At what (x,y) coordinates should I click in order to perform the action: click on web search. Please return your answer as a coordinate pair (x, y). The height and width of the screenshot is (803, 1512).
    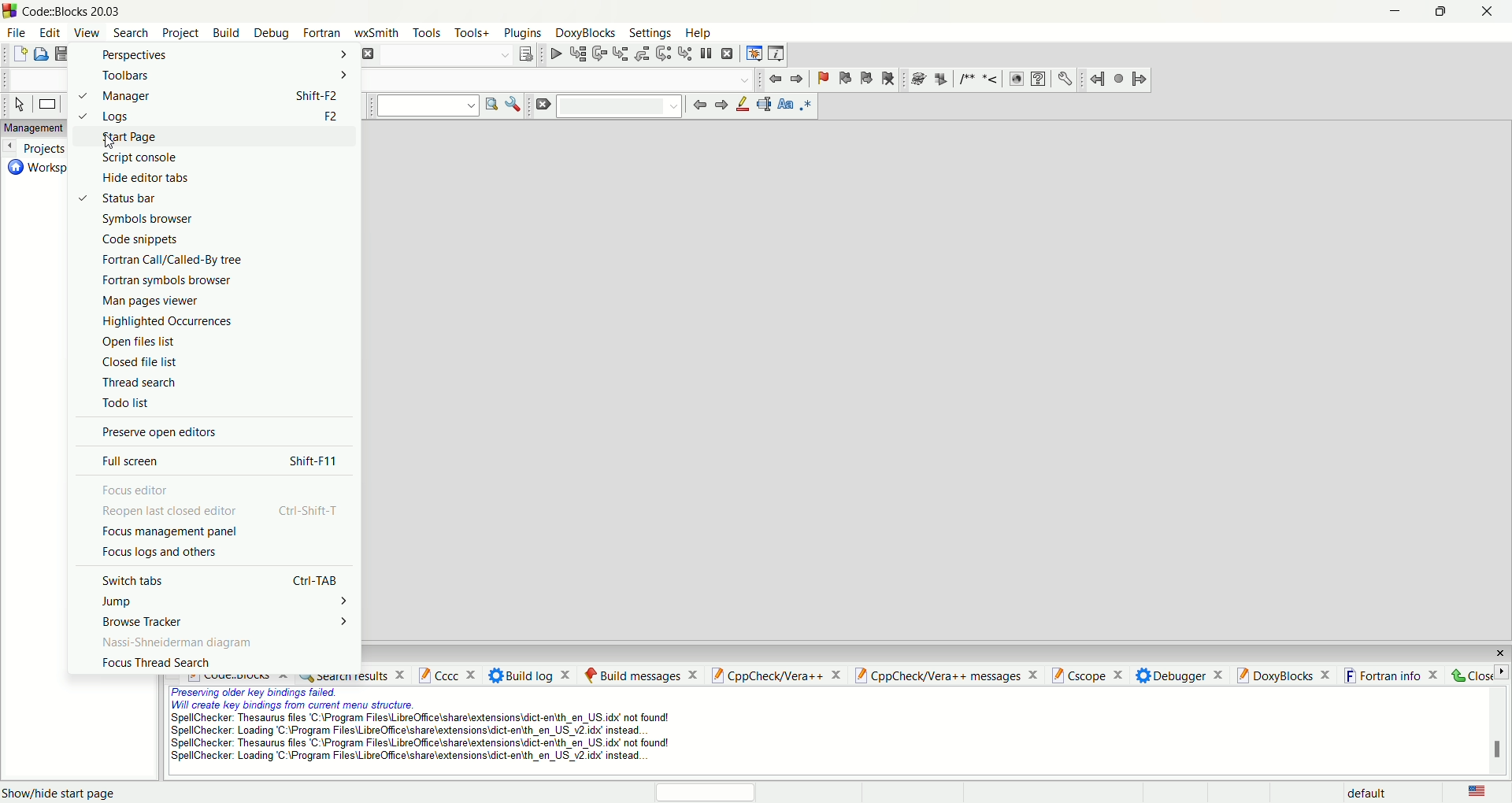
    Looking at the image, I should click on (1017, 81).